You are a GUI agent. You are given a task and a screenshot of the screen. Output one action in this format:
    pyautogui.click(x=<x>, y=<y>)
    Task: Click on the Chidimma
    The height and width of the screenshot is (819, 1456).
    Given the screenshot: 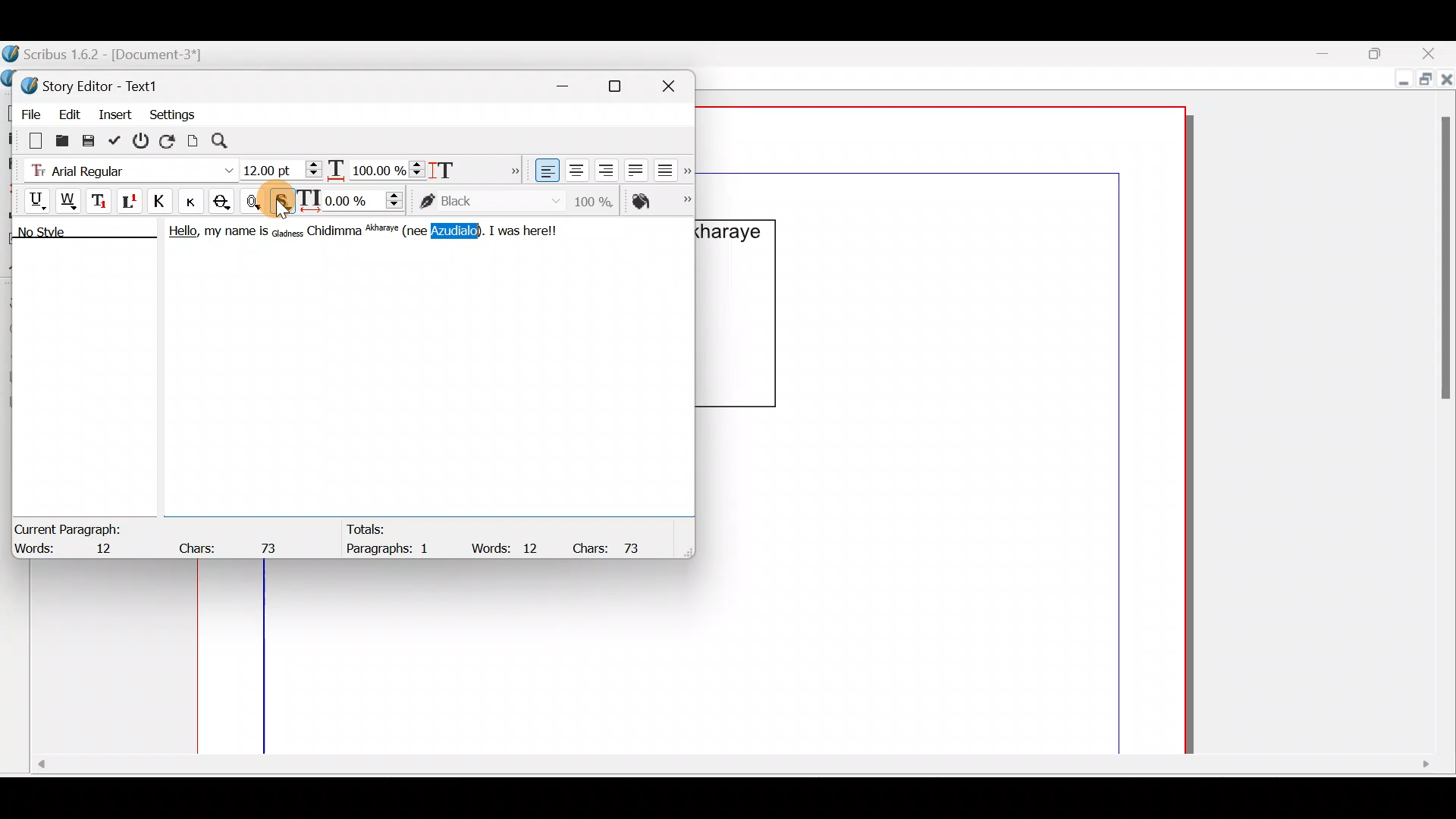 What is the action you would take?
    pyautogui.click(x=335, y=231)
    